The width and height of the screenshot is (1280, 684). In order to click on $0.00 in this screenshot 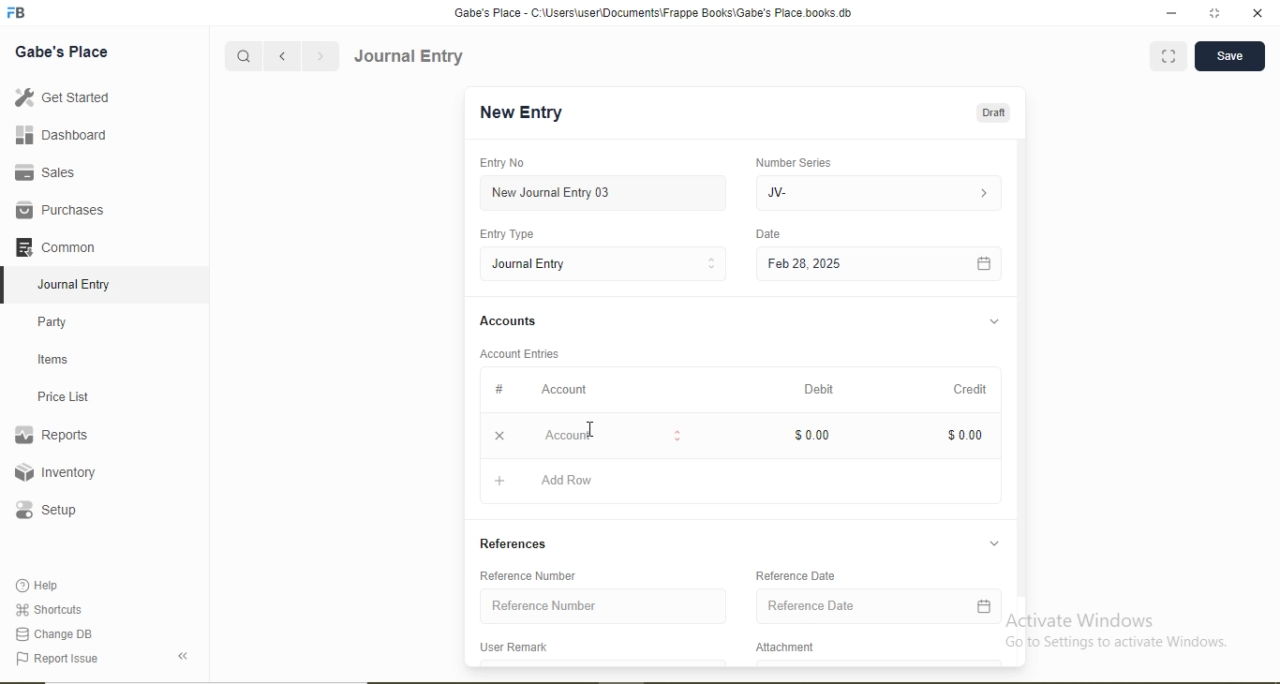, I will do `click(965, 435)`.